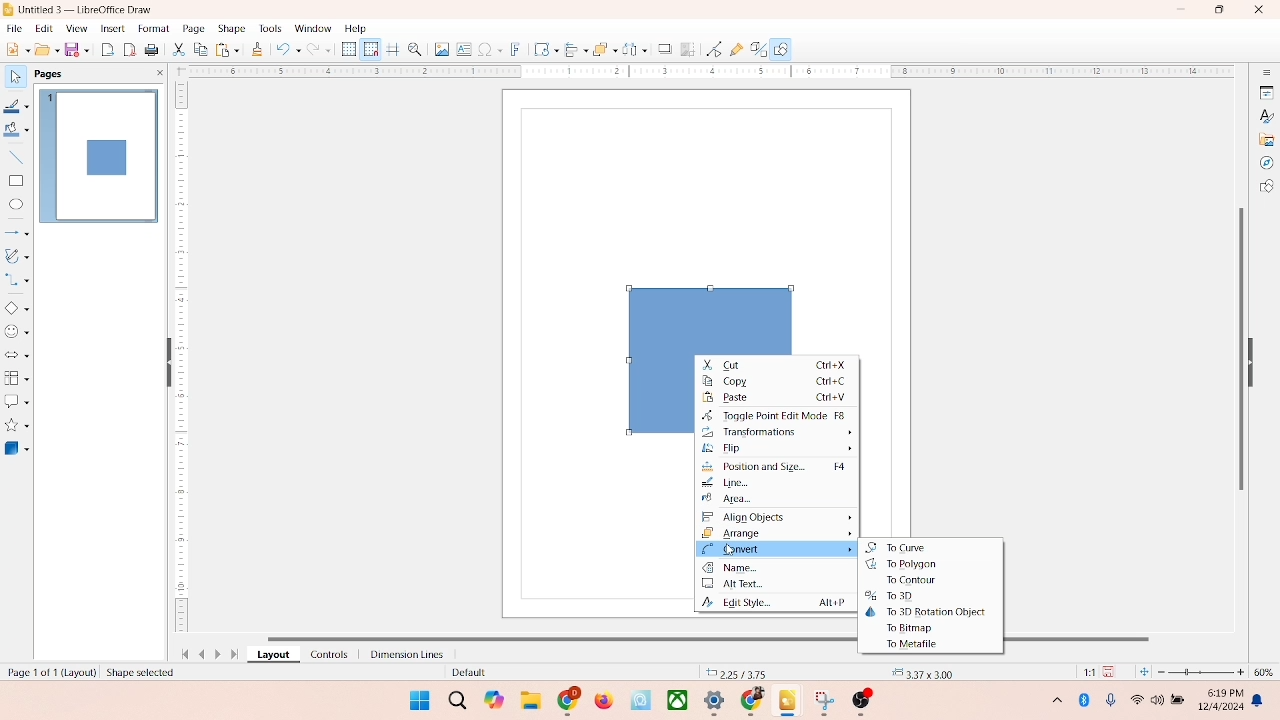  Describe the element at coordinates (735, 50) in the screenshot. I see `gluepoint function` at that location.